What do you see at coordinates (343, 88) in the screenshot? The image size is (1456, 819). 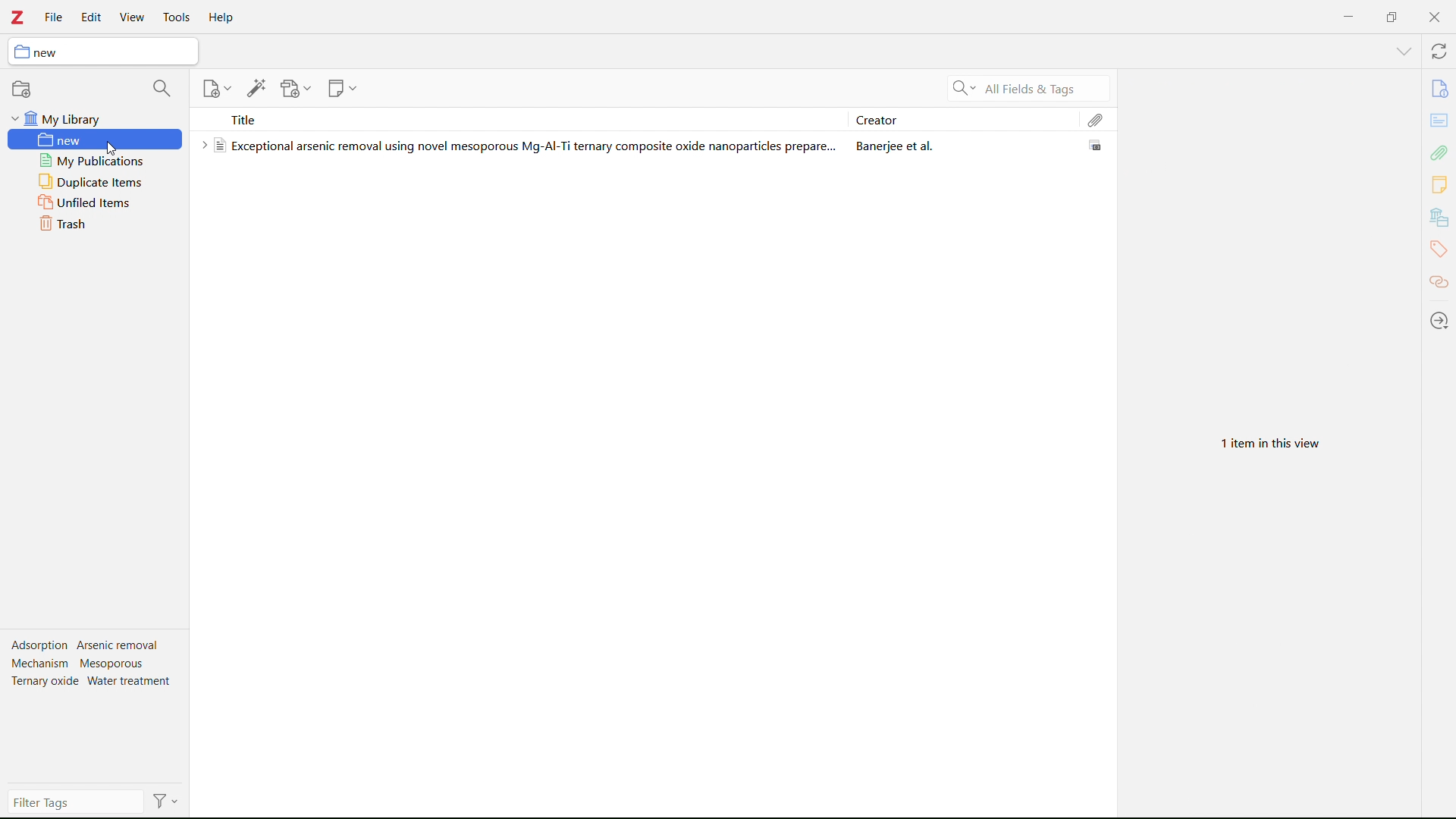 I see `add notes` at bounding box center [343, 88].